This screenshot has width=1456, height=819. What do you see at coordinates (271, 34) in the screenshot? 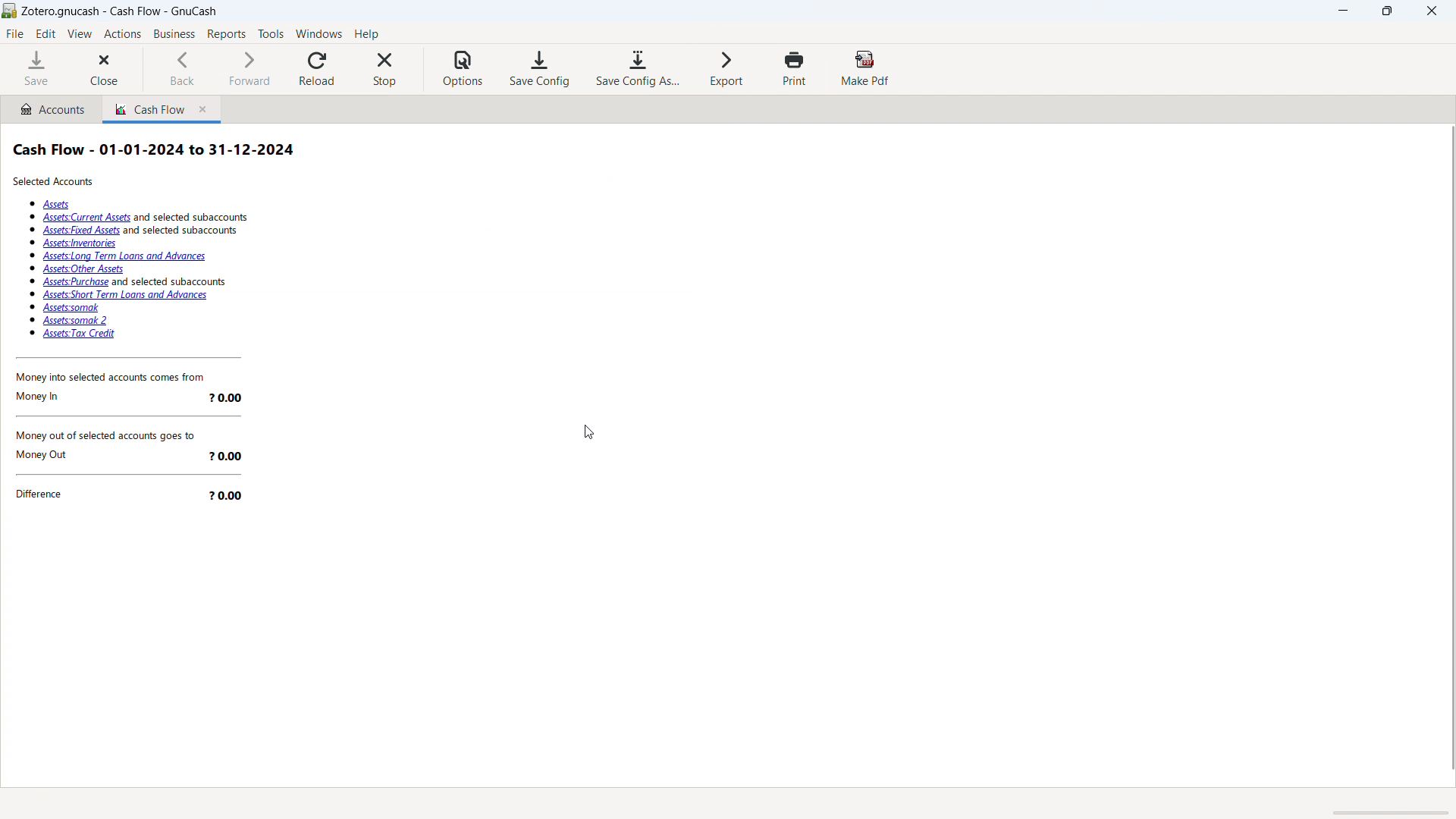
I see `tools` at bounding box center [271, 34].